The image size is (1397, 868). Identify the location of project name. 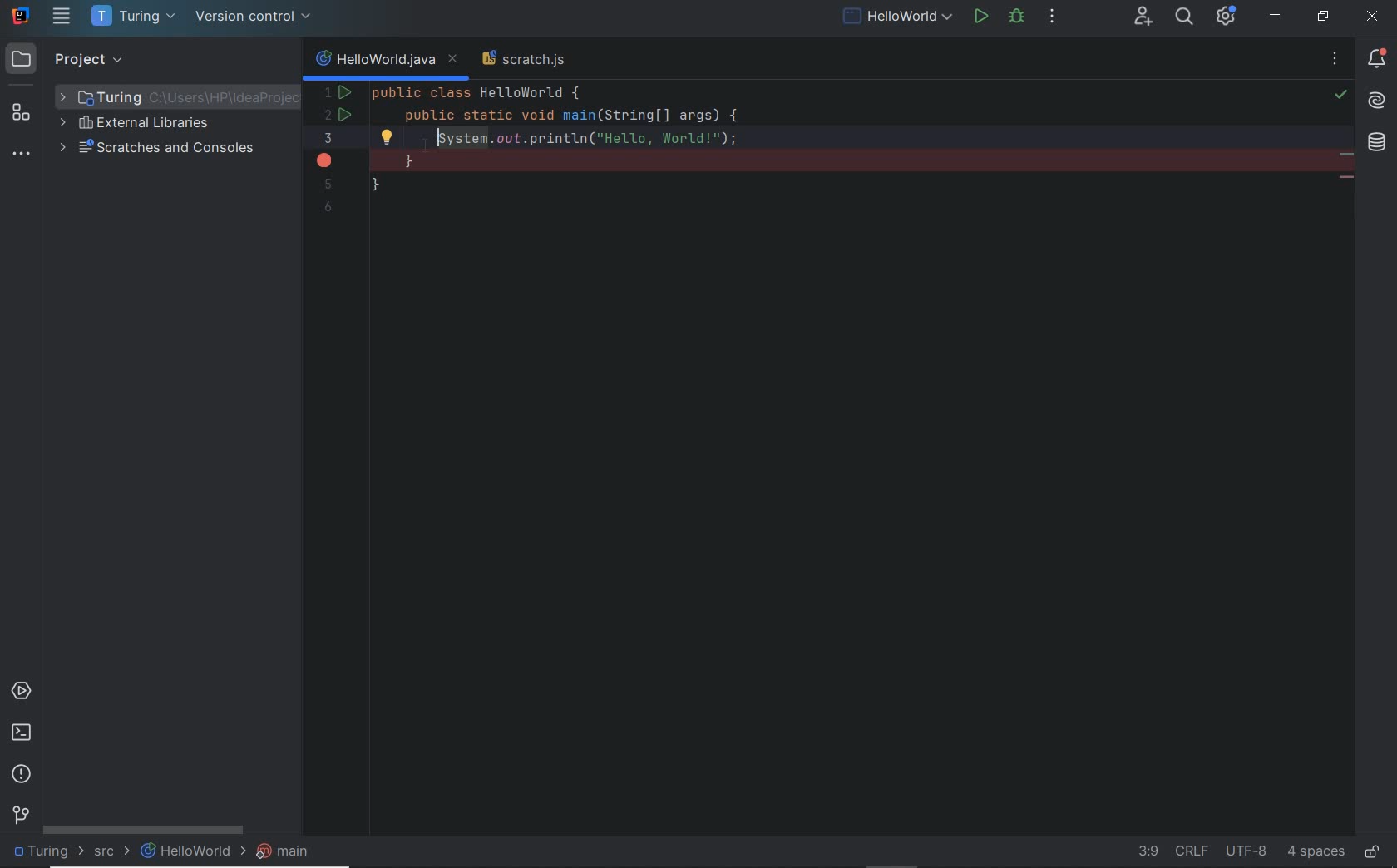
(46, 851).